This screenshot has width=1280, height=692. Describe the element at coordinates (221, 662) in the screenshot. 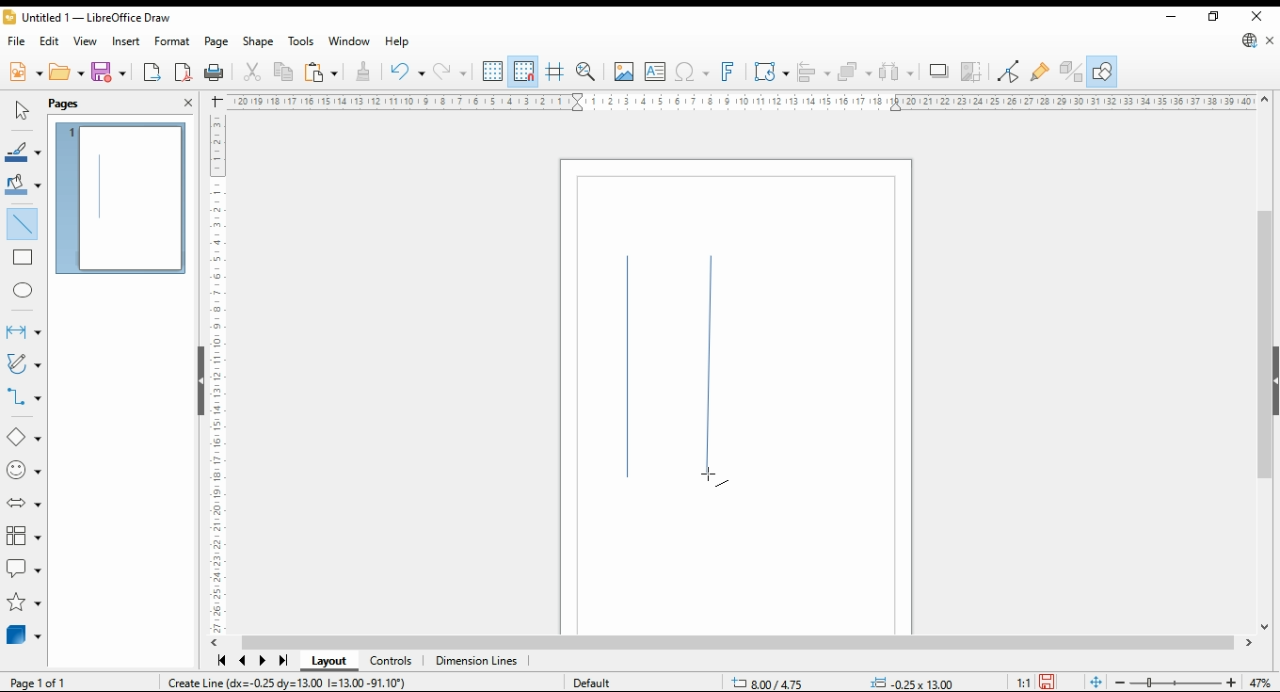

I see `first page` at that location.